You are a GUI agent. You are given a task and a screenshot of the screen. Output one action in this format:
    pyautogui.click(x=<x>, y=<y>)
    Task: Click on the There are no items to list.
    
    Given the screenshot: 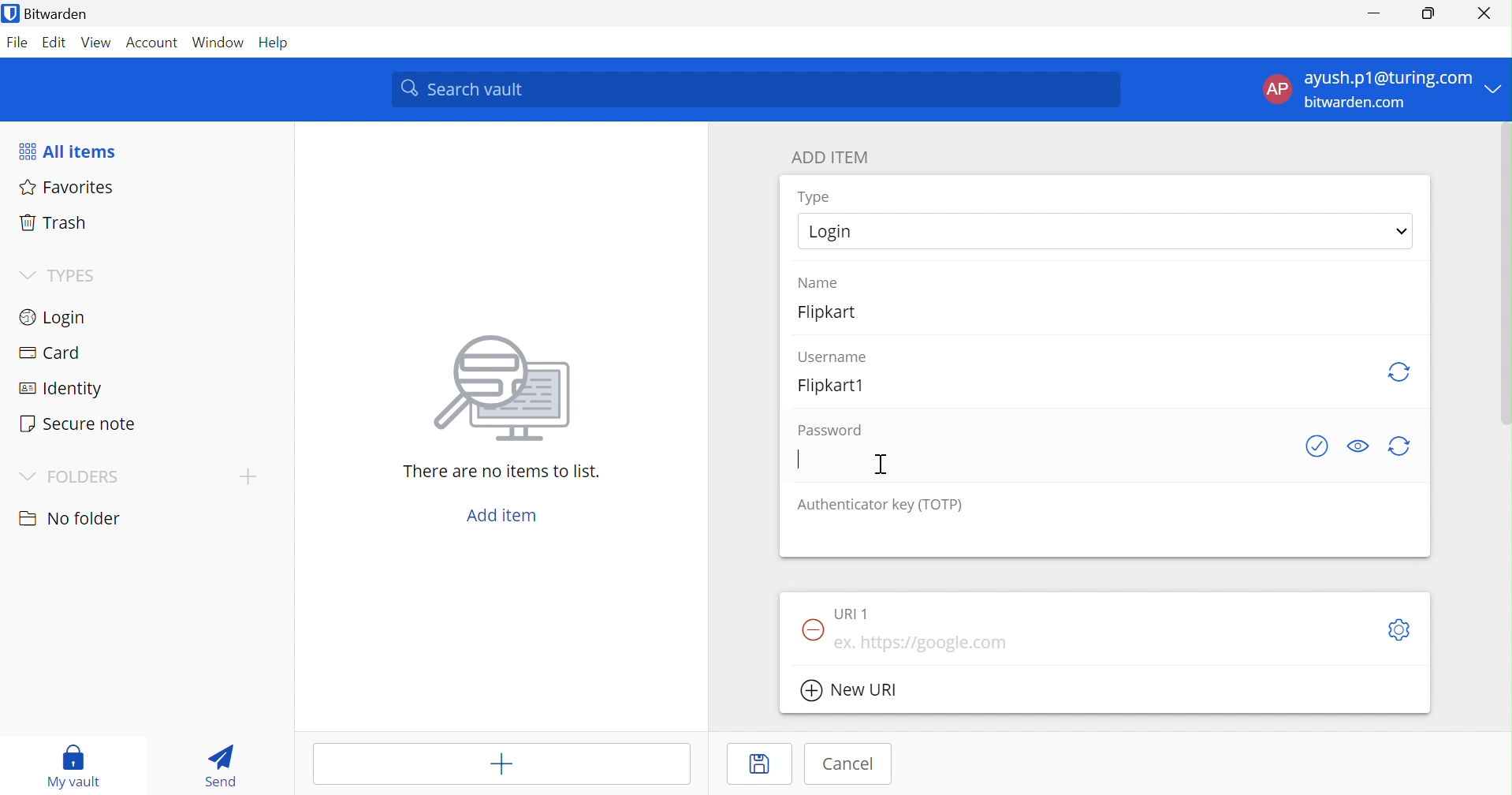 What is the action you would take?
    pyautogui.click(x=503, y=473)
    